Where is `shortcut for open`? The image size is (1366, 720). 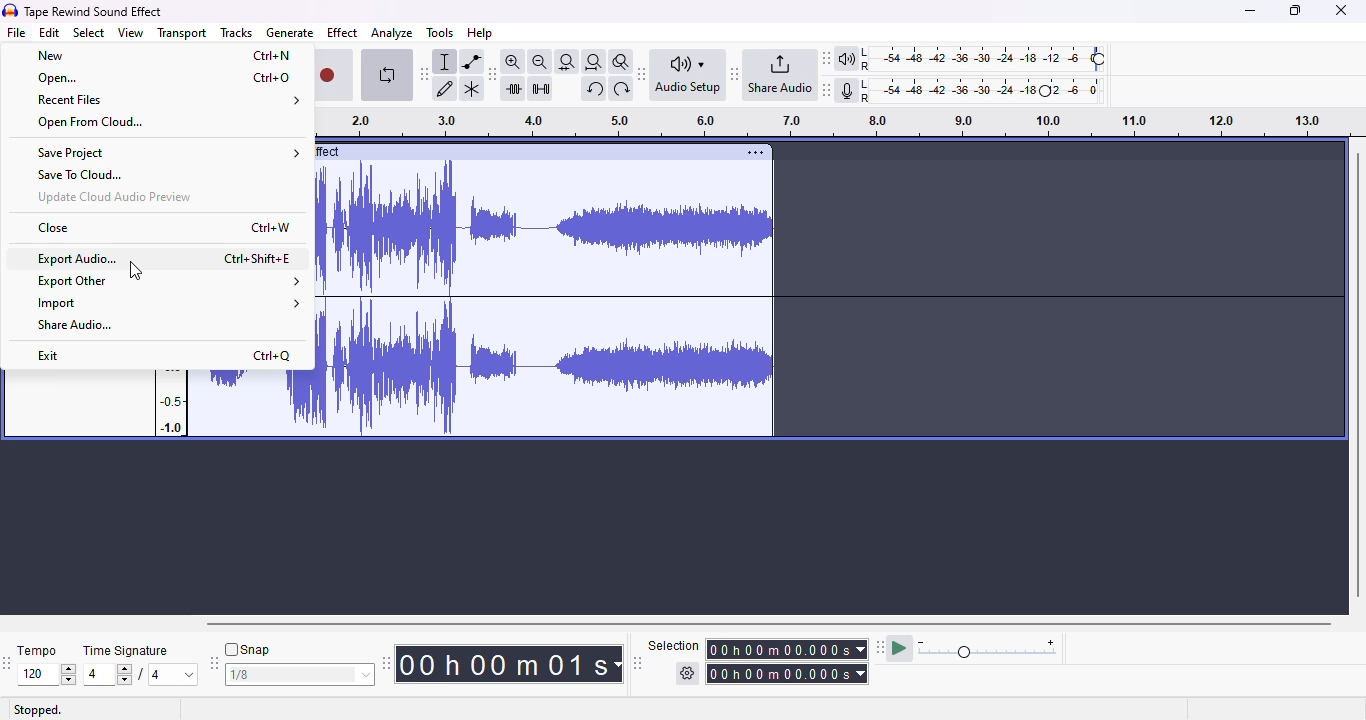 shortcut for open is located at coordinates (272, 78).